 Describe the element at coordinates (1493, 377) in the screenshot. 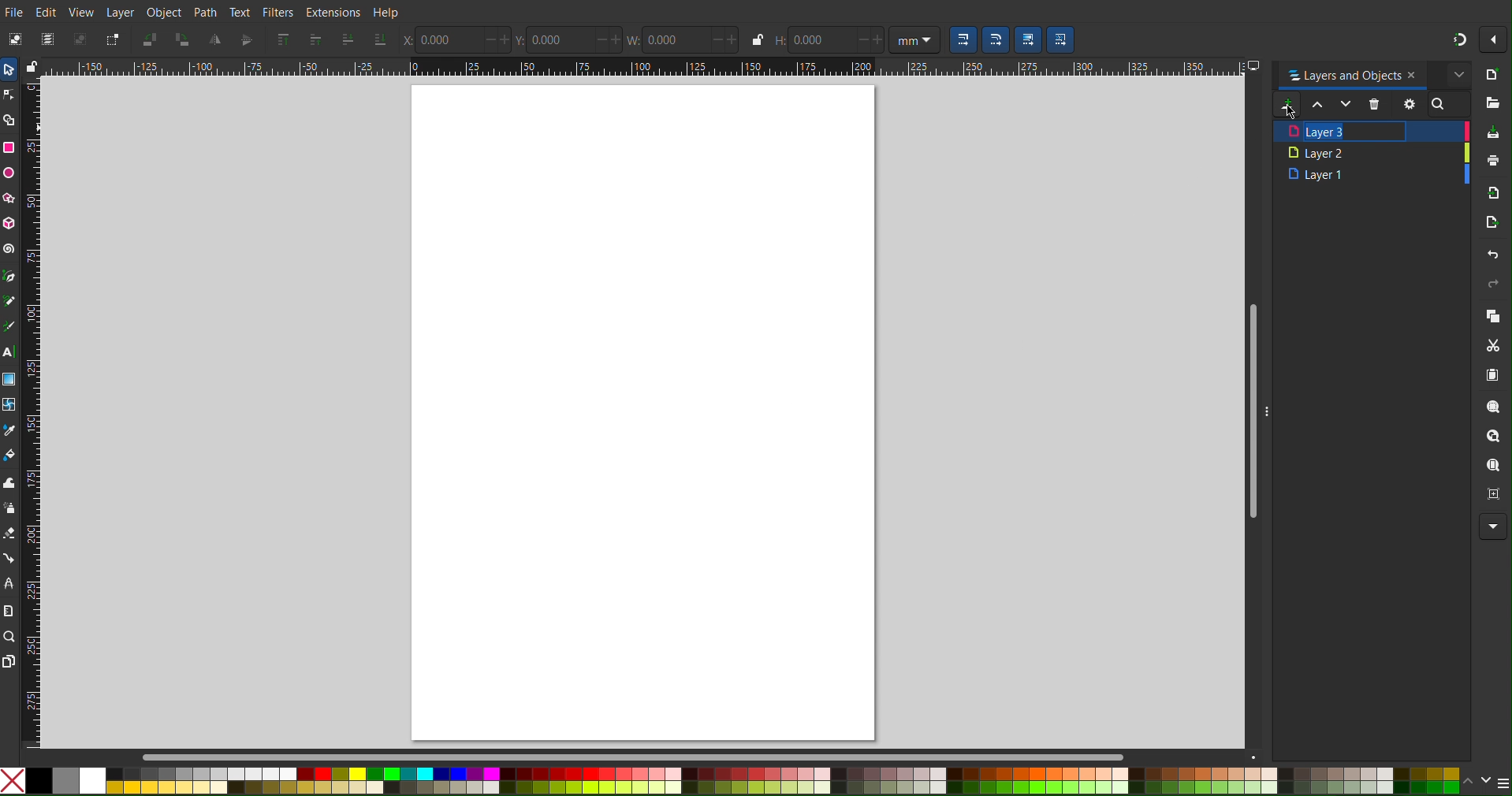

I see `Paste` at that location.